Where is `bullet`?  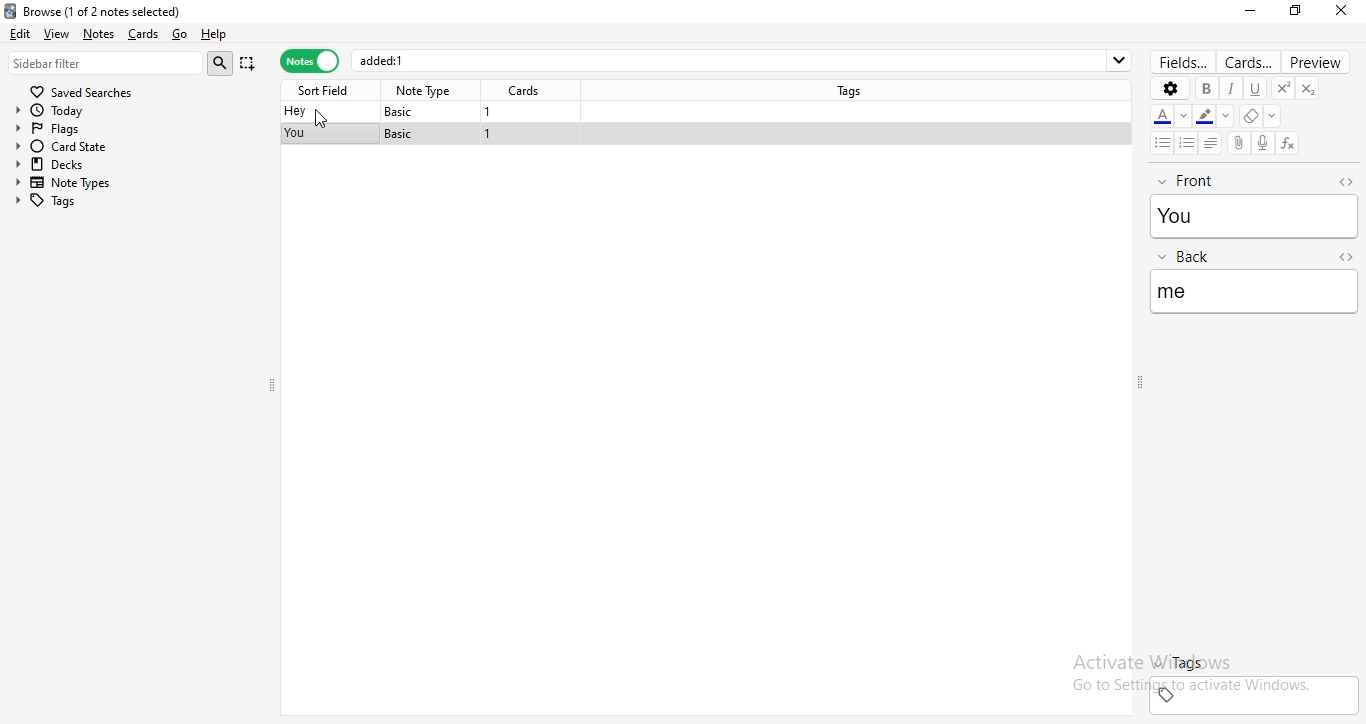
bullet is located at coordinates (1186, 143).